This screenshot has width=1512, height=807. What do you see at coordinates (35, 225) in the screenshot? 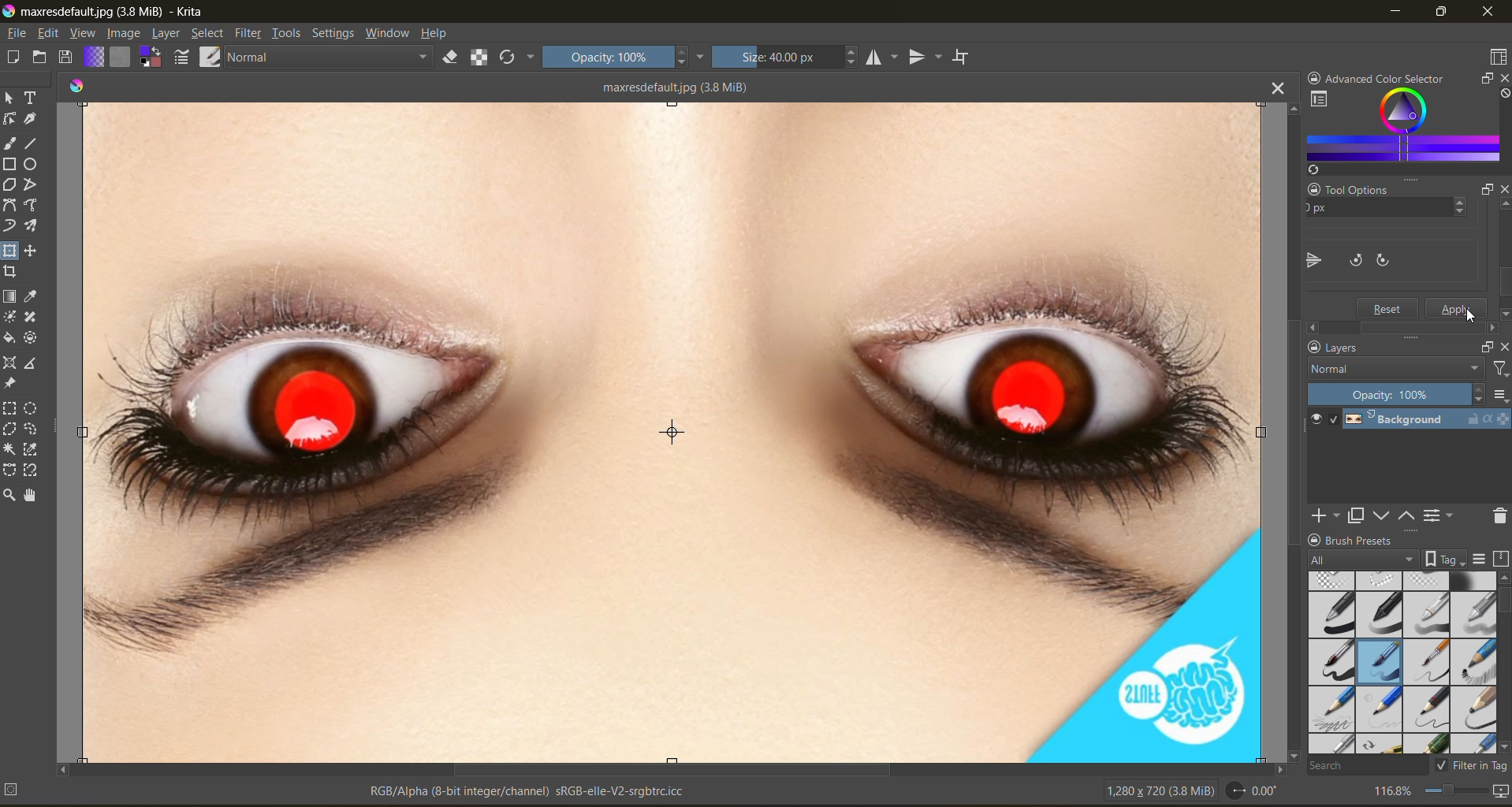
I see `tool` at bounding box center [35, 225].